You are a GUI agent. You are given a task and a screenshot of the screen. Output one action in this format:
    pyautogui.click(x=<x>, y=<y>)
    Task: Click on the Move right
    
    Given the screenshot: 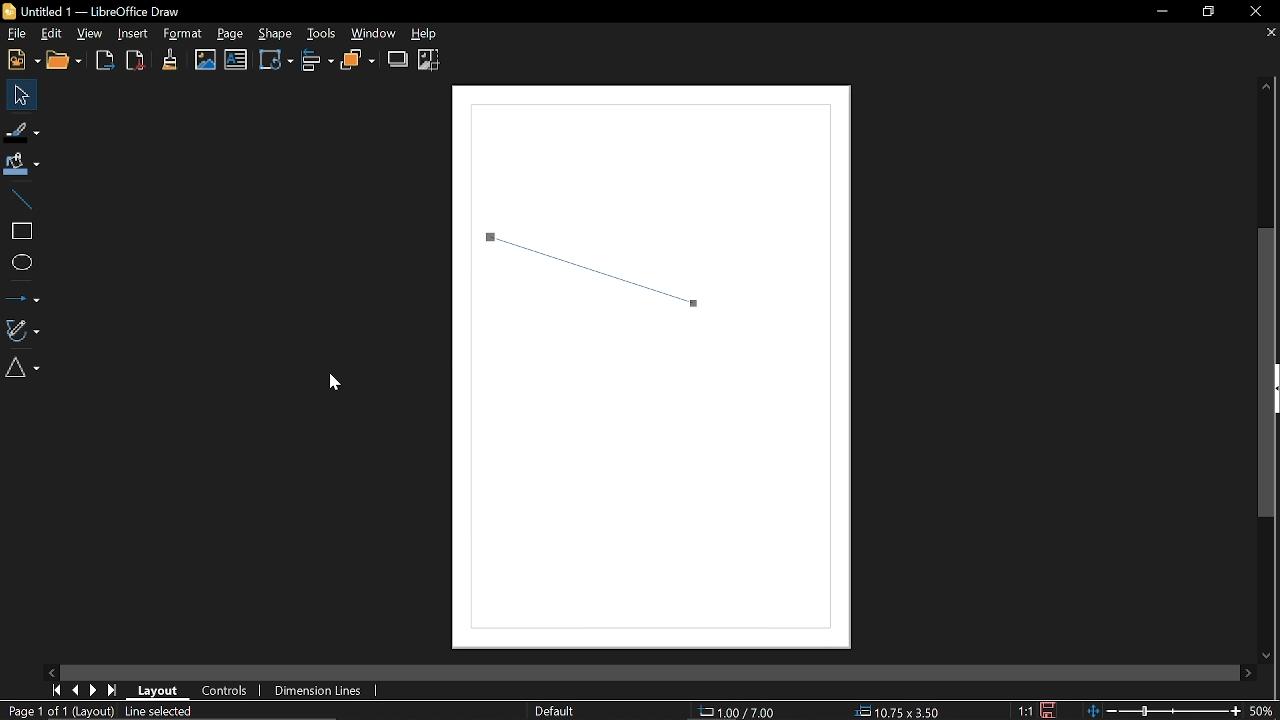 What is the action you would take?
    pyautogui.click(x=1250, y=673)
    